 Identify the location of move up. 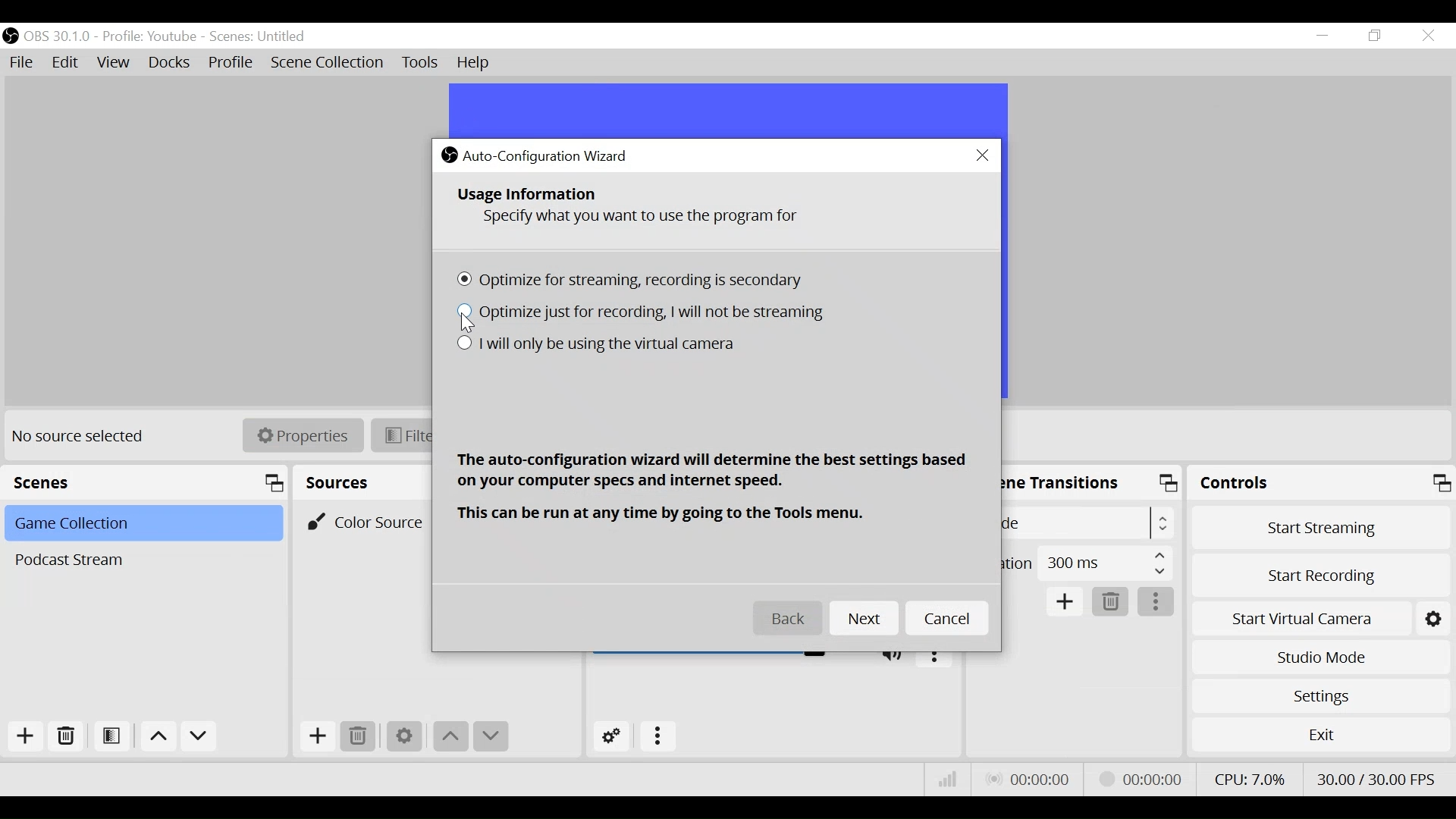
(452, 738).